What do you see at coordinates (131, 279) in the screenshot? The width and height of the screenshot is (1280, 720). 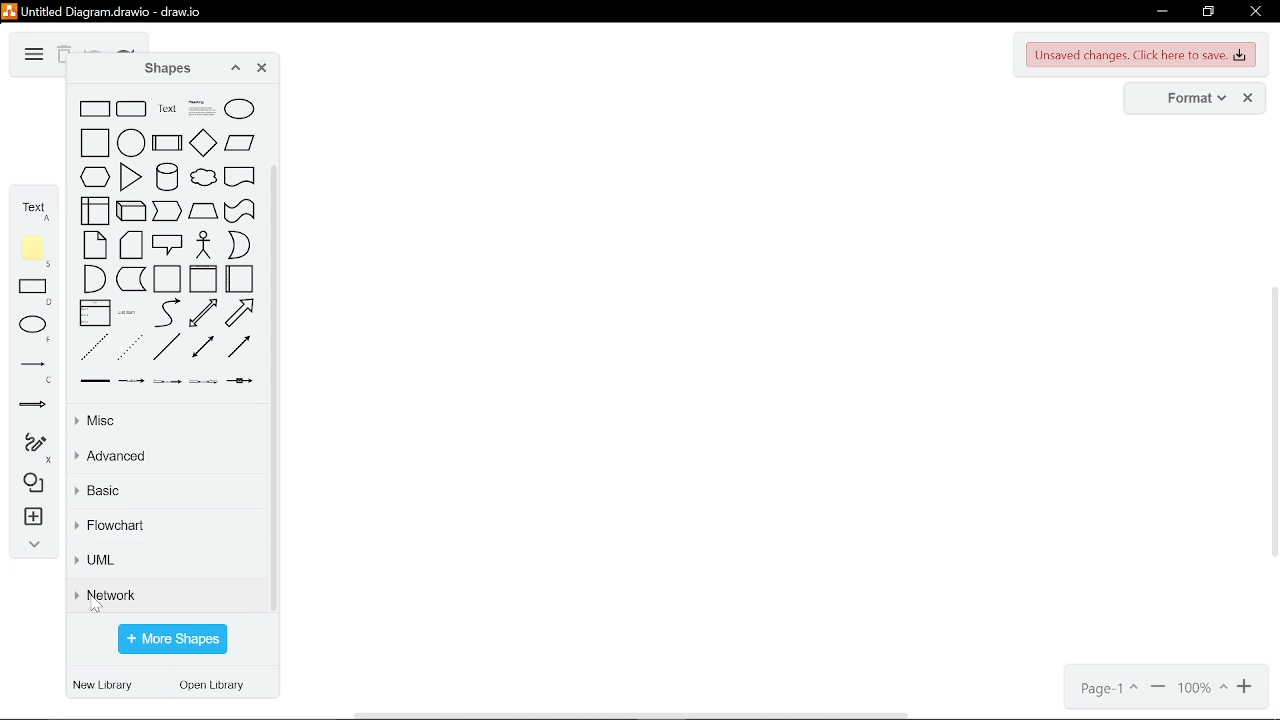 I see `data storage` at bounding box center [131, 279].